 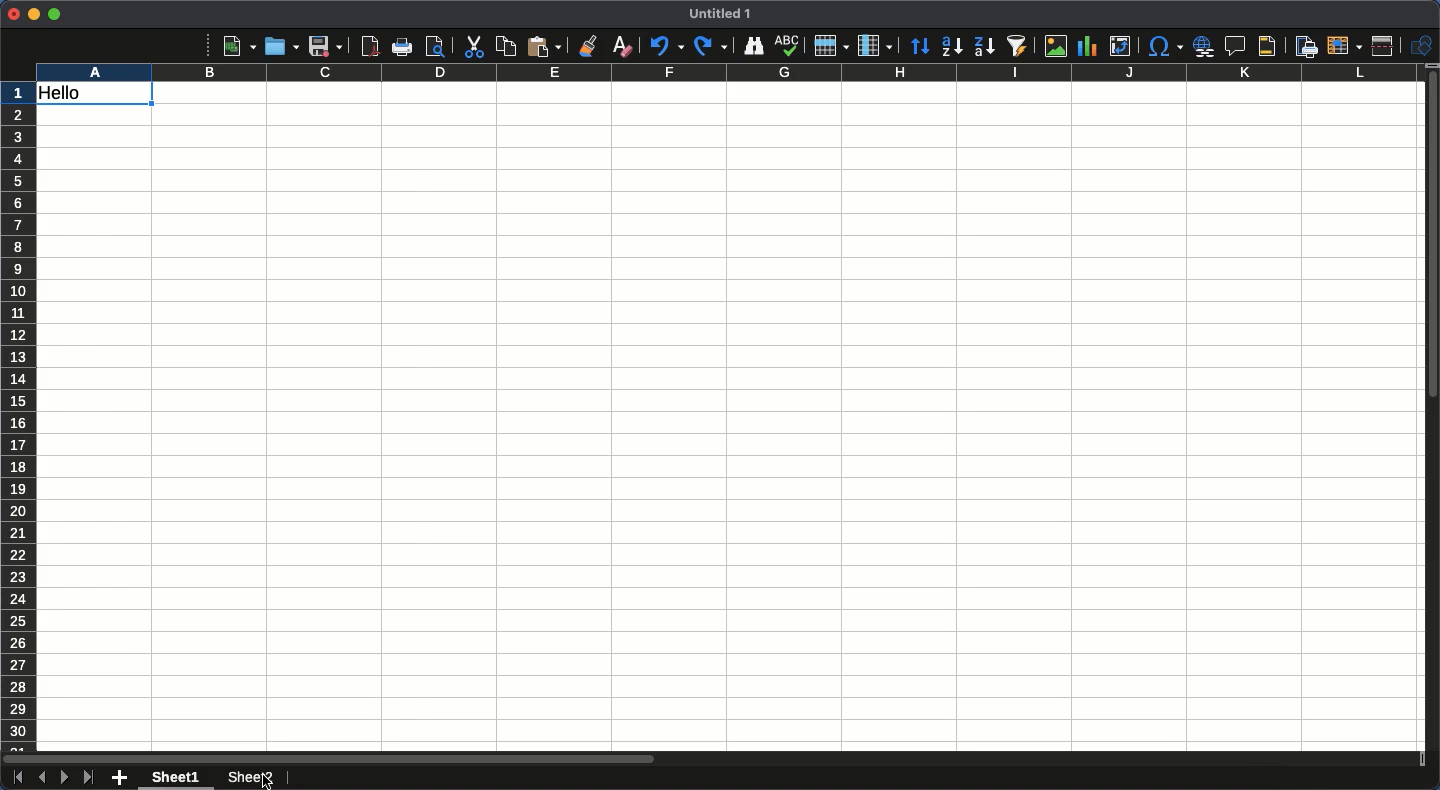 I want to click on Sort, so click(x=921, y=48).